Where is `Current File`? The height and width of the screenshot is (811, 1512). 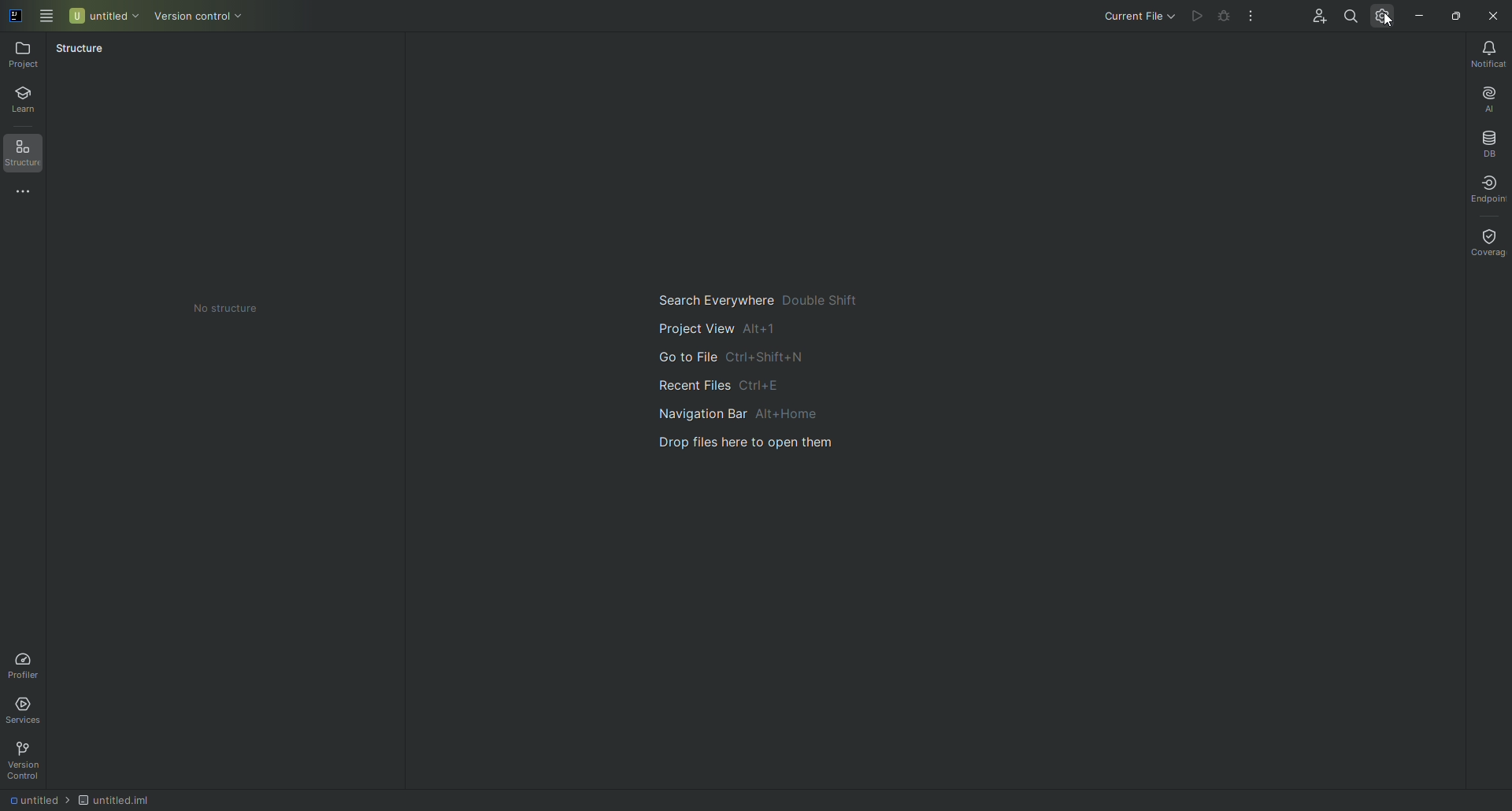 Current File is located at coordinates (1134, 17).